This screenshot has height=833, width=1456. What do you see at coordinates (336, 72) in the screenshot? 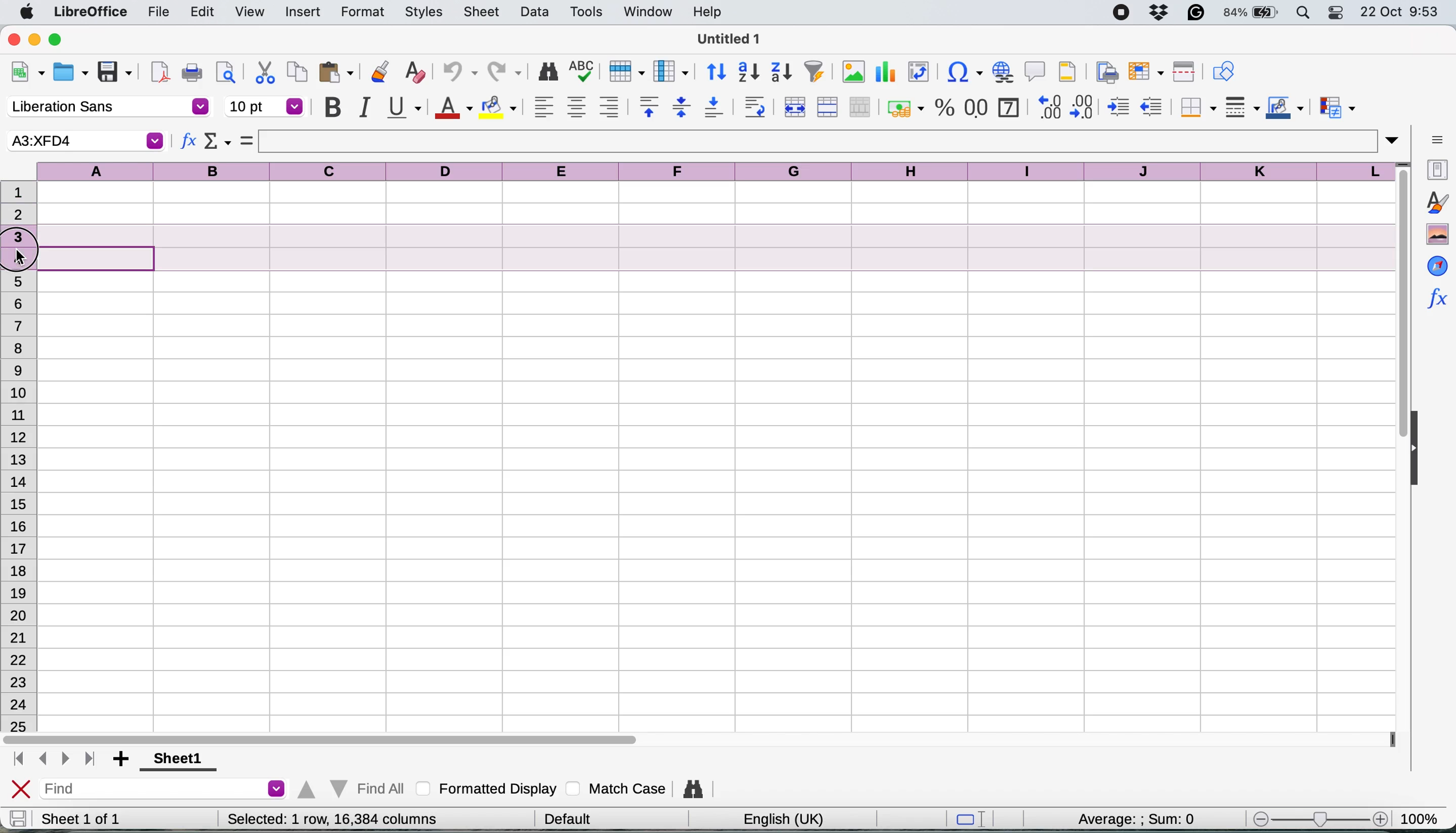
I see `paste` at bounding box center [336, 72].